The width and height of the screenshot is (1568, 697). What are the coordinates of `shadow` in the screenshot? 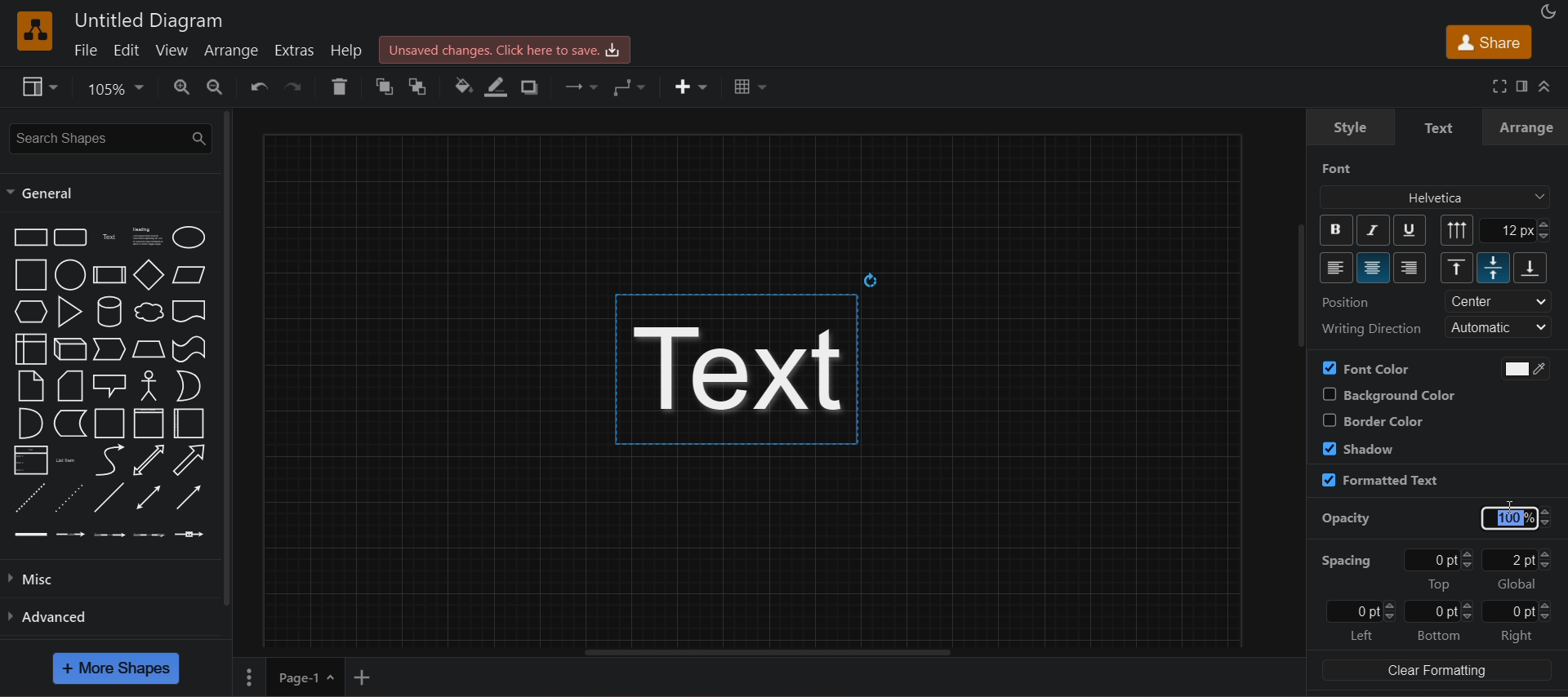 It's located at (1359, 447).